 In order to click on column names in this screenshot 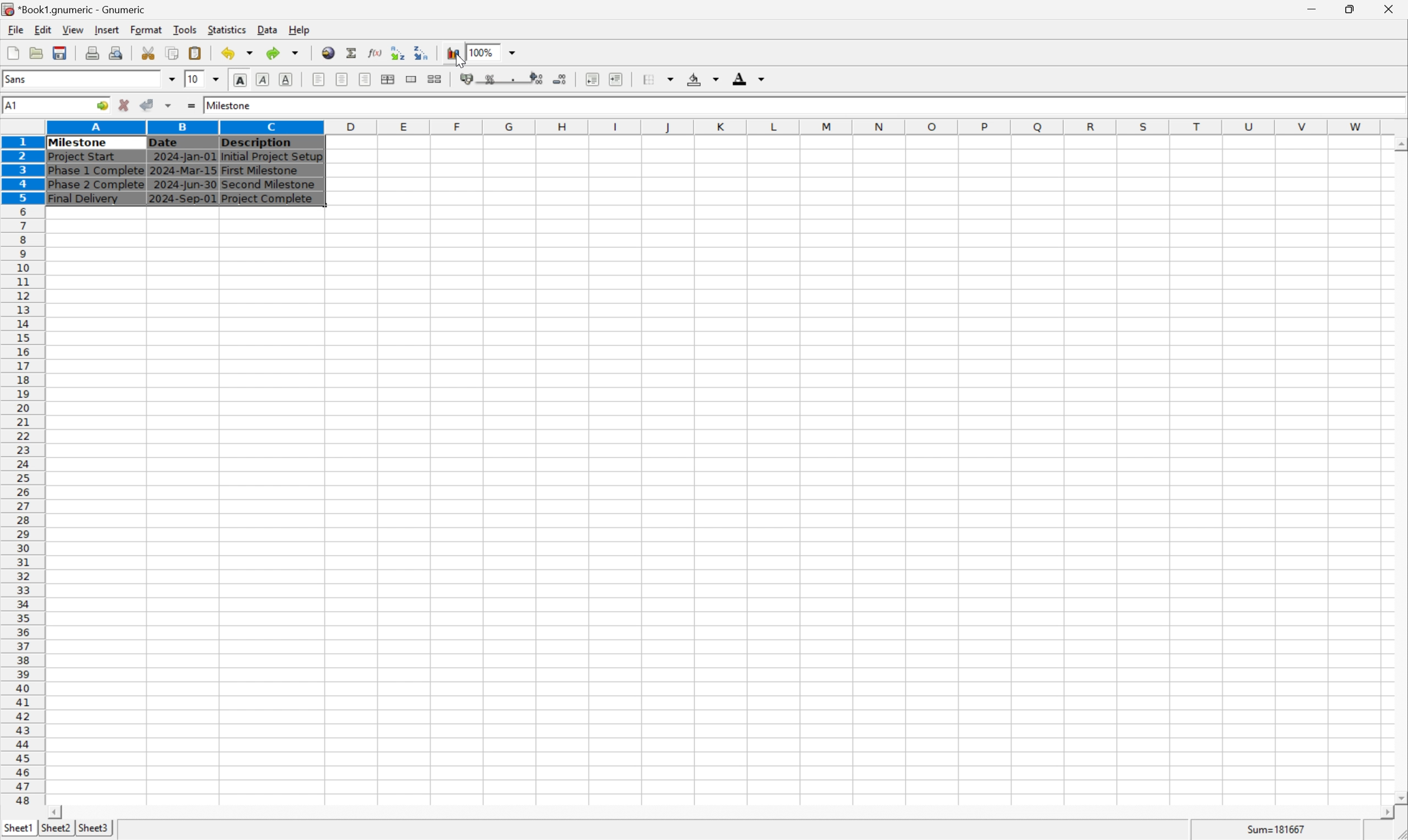, I will do `click(716, 126)`.